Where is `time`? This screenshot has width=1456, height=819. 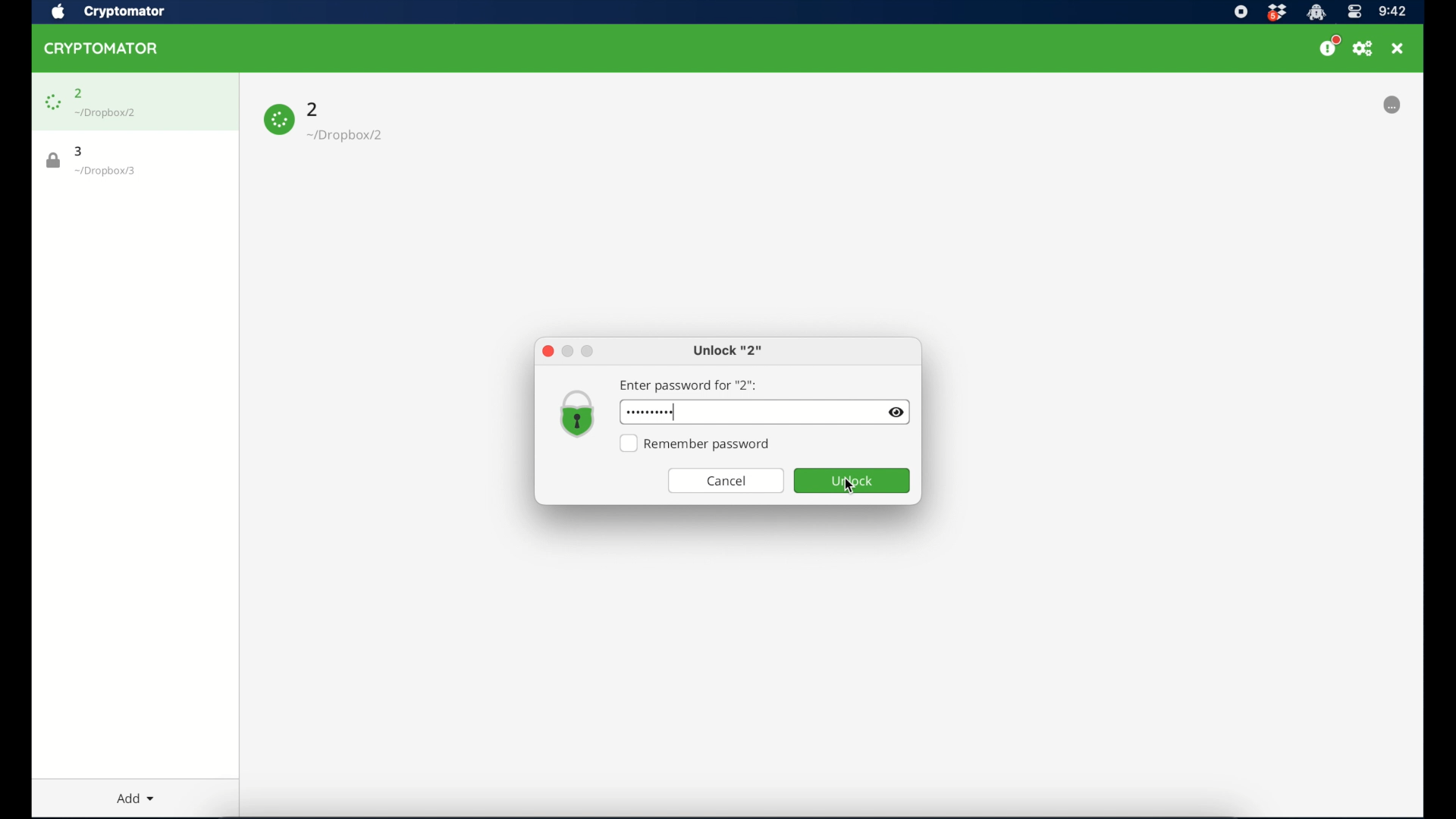 time is located at coordinates (1392, 12).